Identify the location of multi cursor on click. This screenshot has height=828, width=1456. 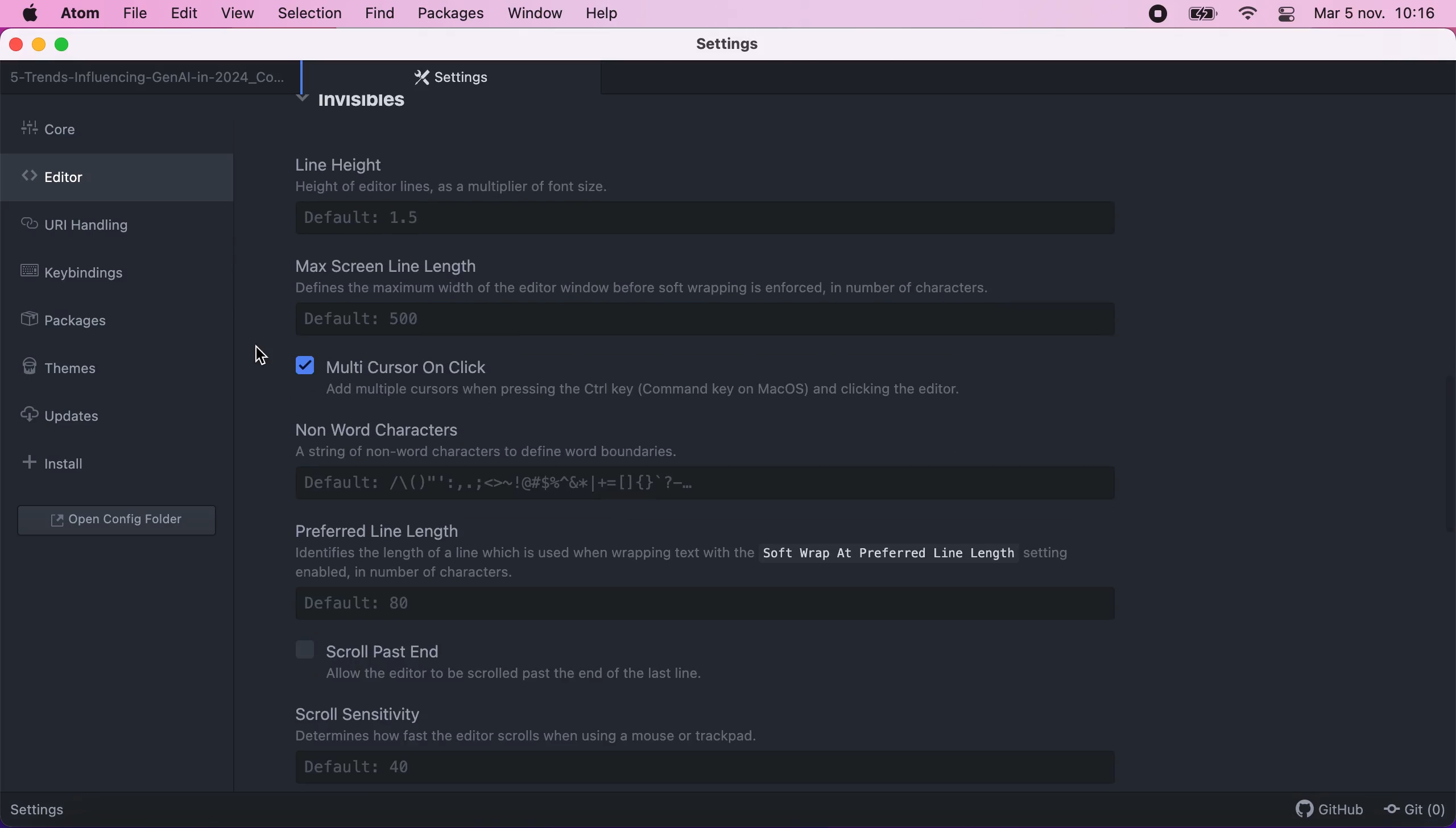
(639, 382).